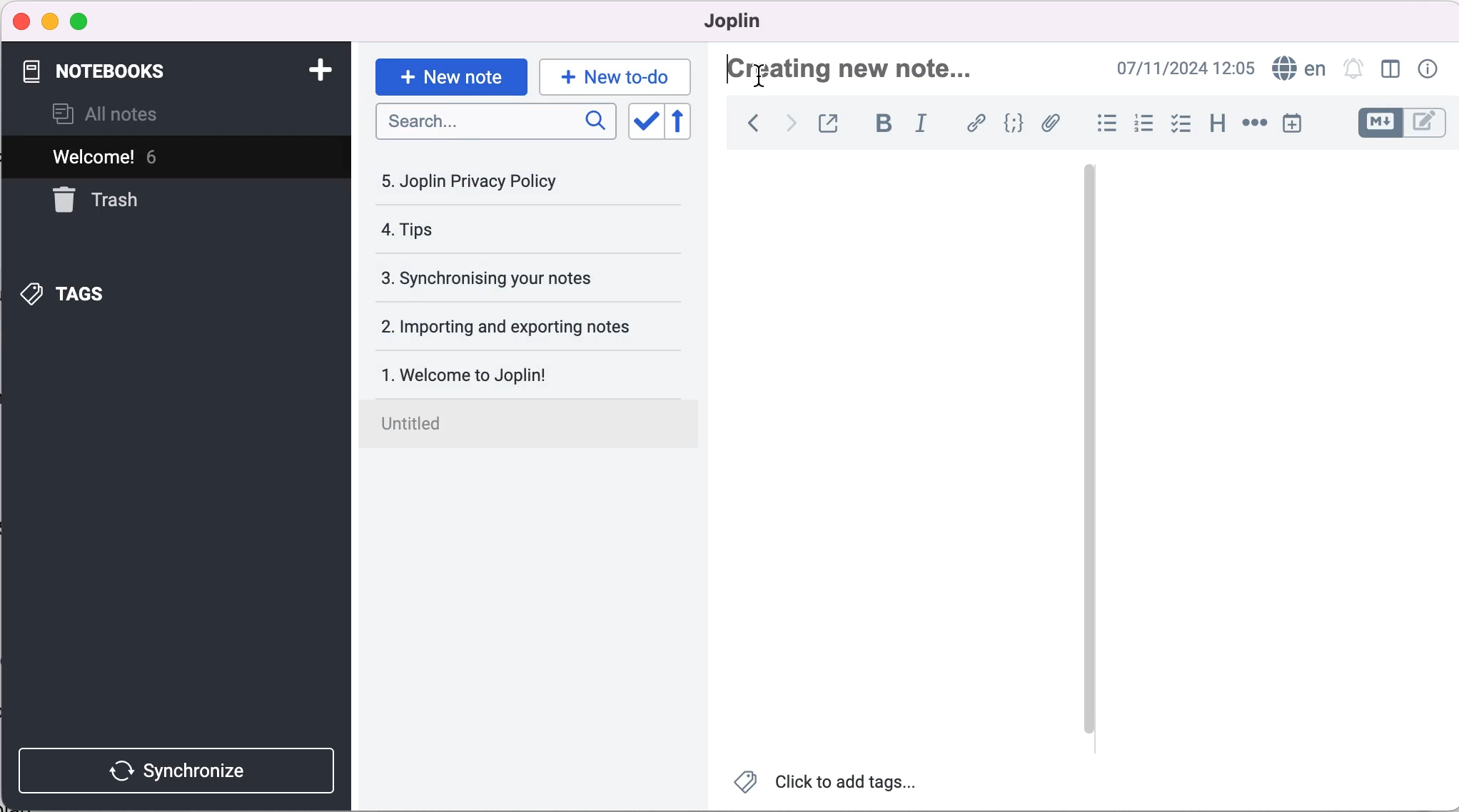 The image size is (1459, 812). What do you see at coordinates (19, 22) in the screenshot?
I see `close` at bounding box center [19, 22].